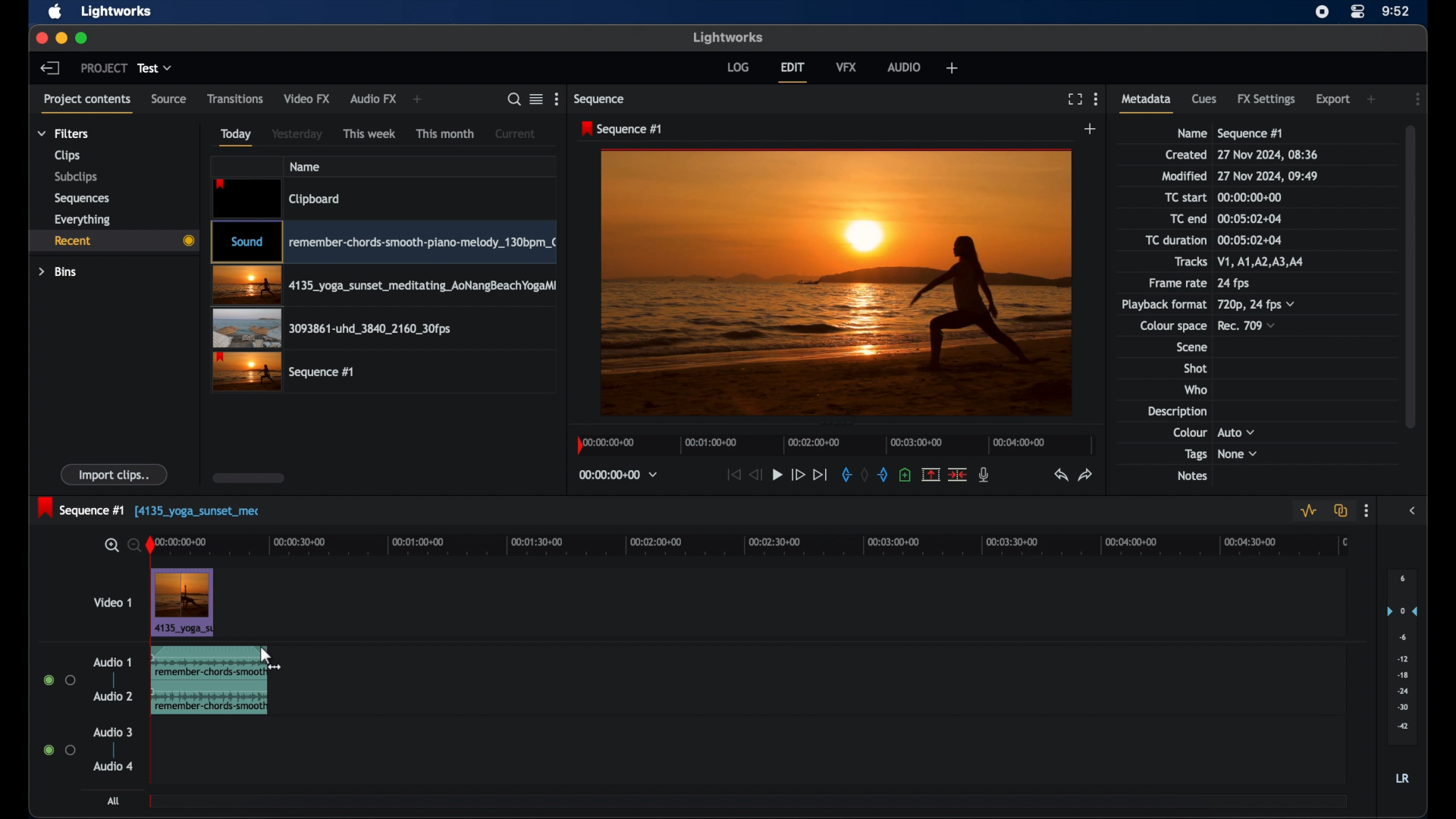  What do you see at coordinates (58, 272) in the screenshot?
I see `bins` at bounding box center [58, 272].